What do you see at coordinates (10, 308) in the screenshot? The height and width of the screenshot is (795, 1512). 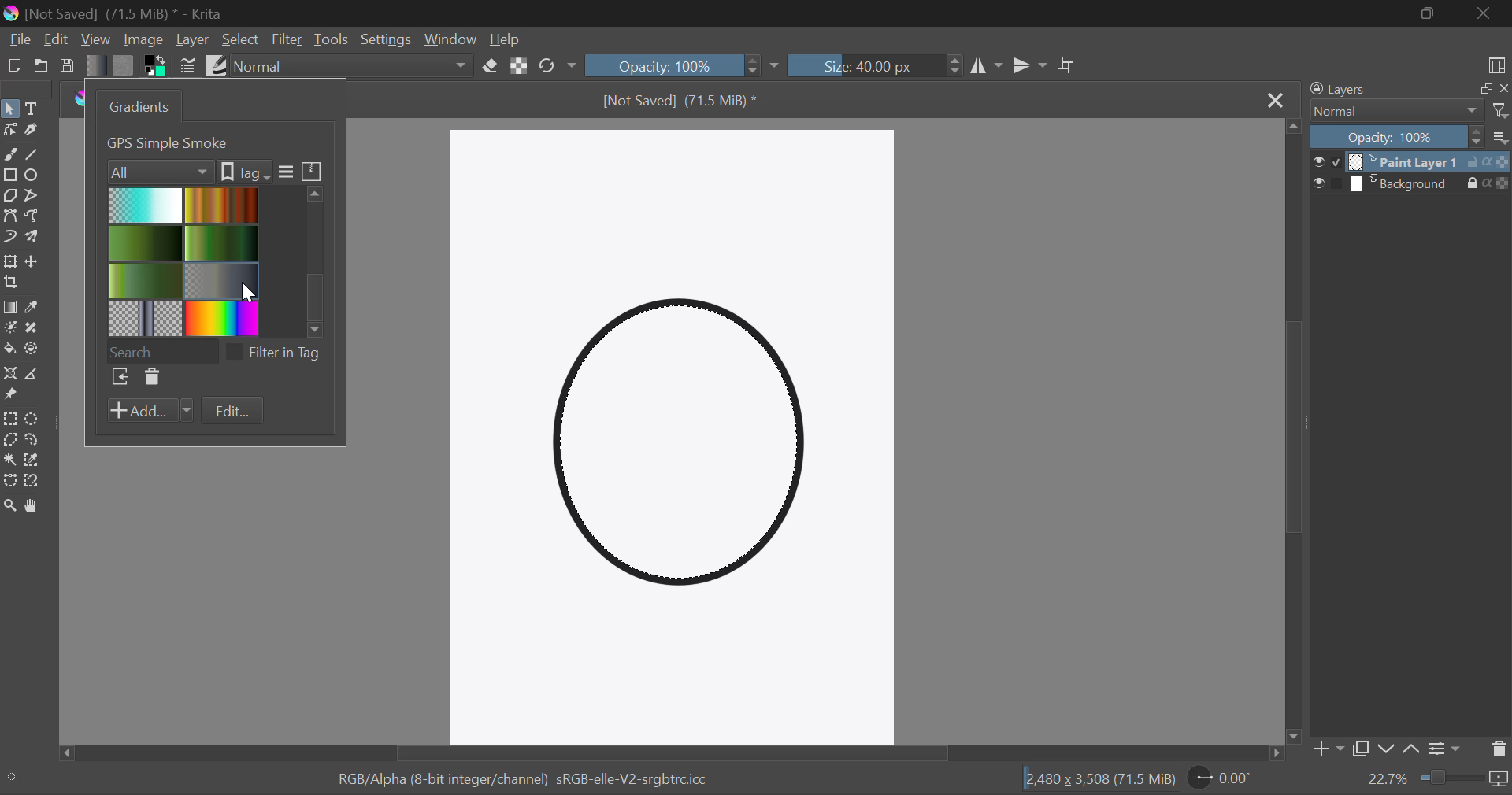 I see `Gradient Fill` at bounding box center [10, 308].